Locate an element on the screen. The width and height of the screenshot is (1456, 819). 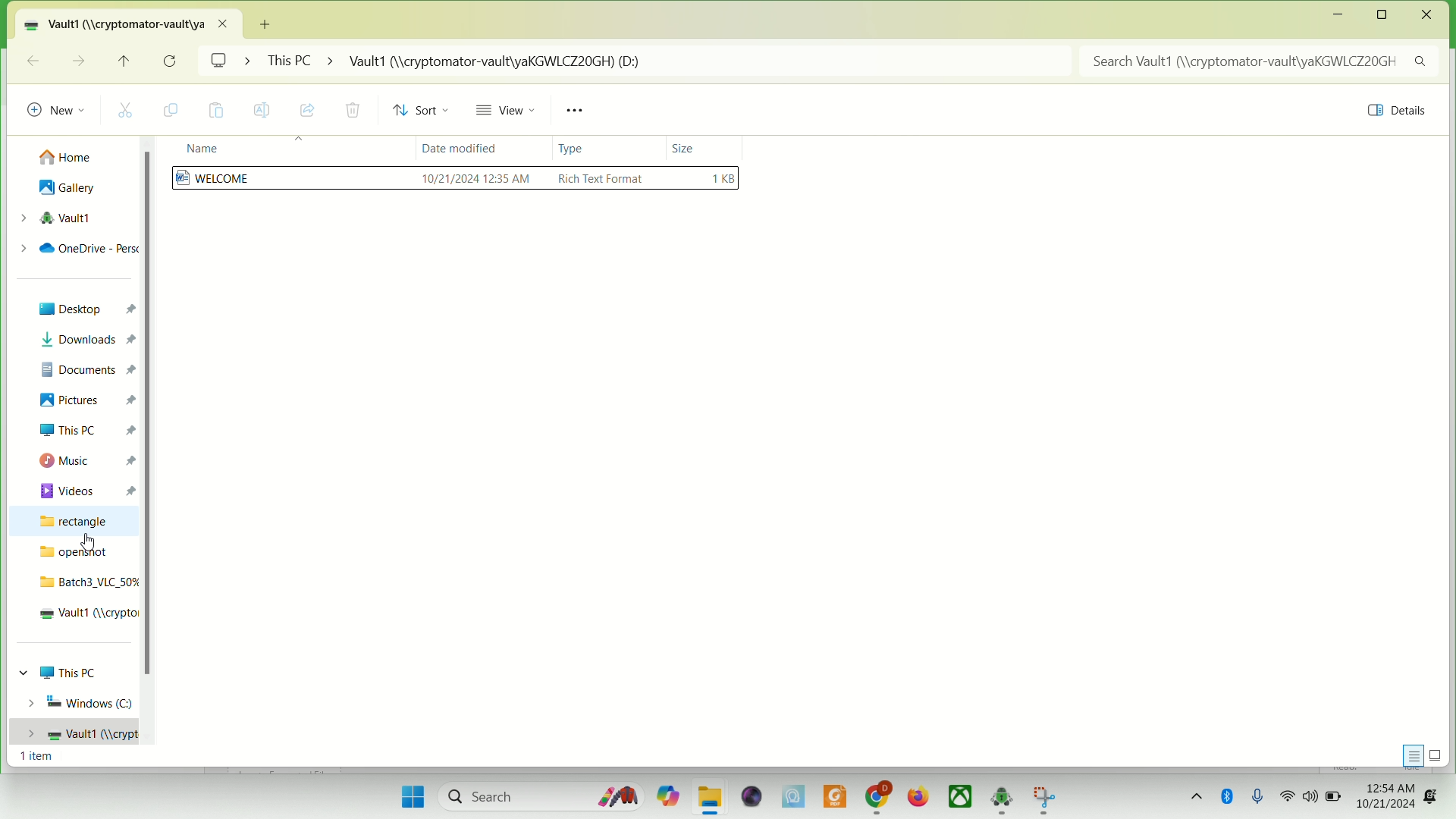
screen > is located at coordinates (228, 63).